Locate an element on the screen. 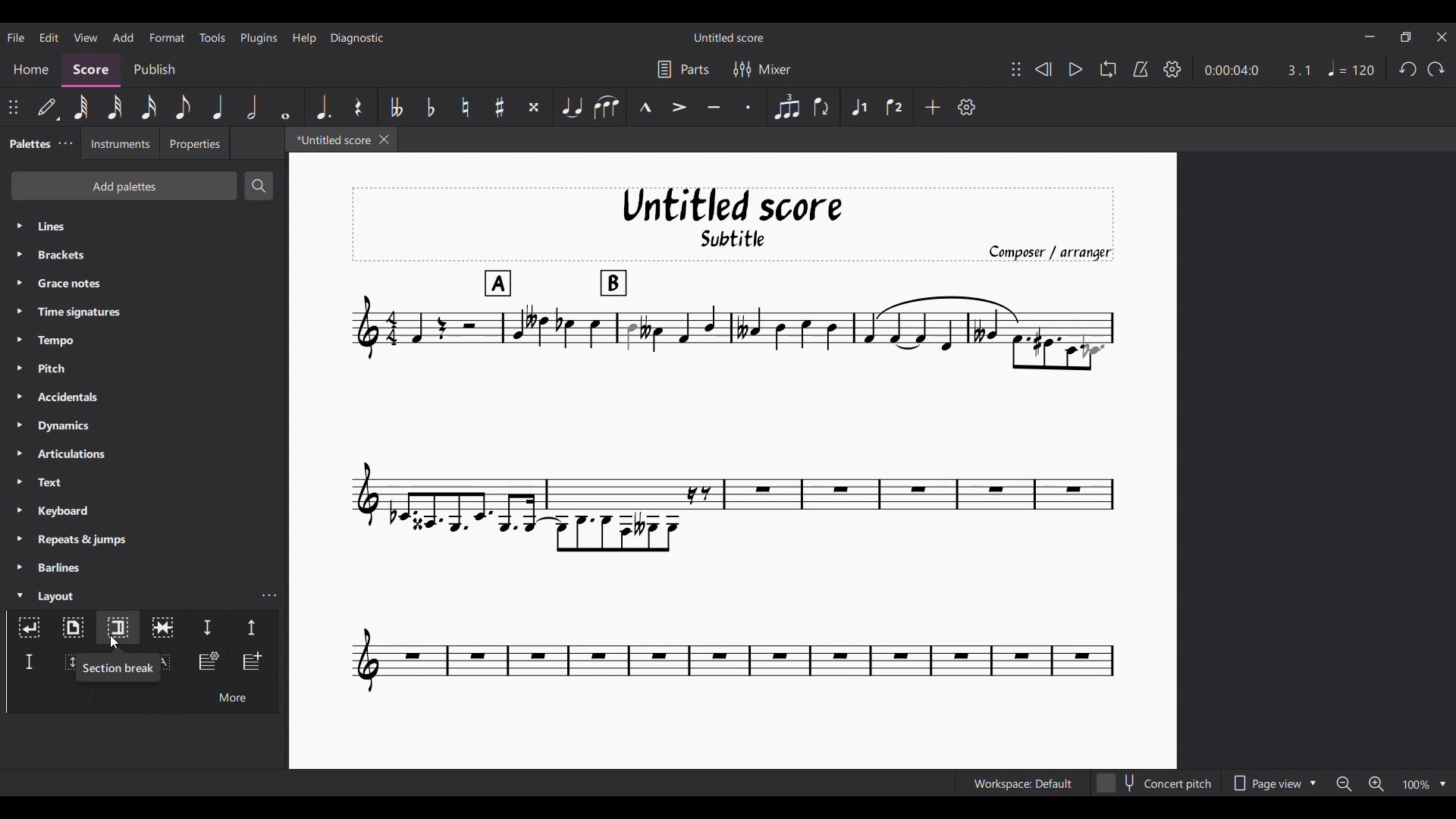 The height and width of the screenshot is (819, 1456). Pitch is located at coordinates (144, 368).